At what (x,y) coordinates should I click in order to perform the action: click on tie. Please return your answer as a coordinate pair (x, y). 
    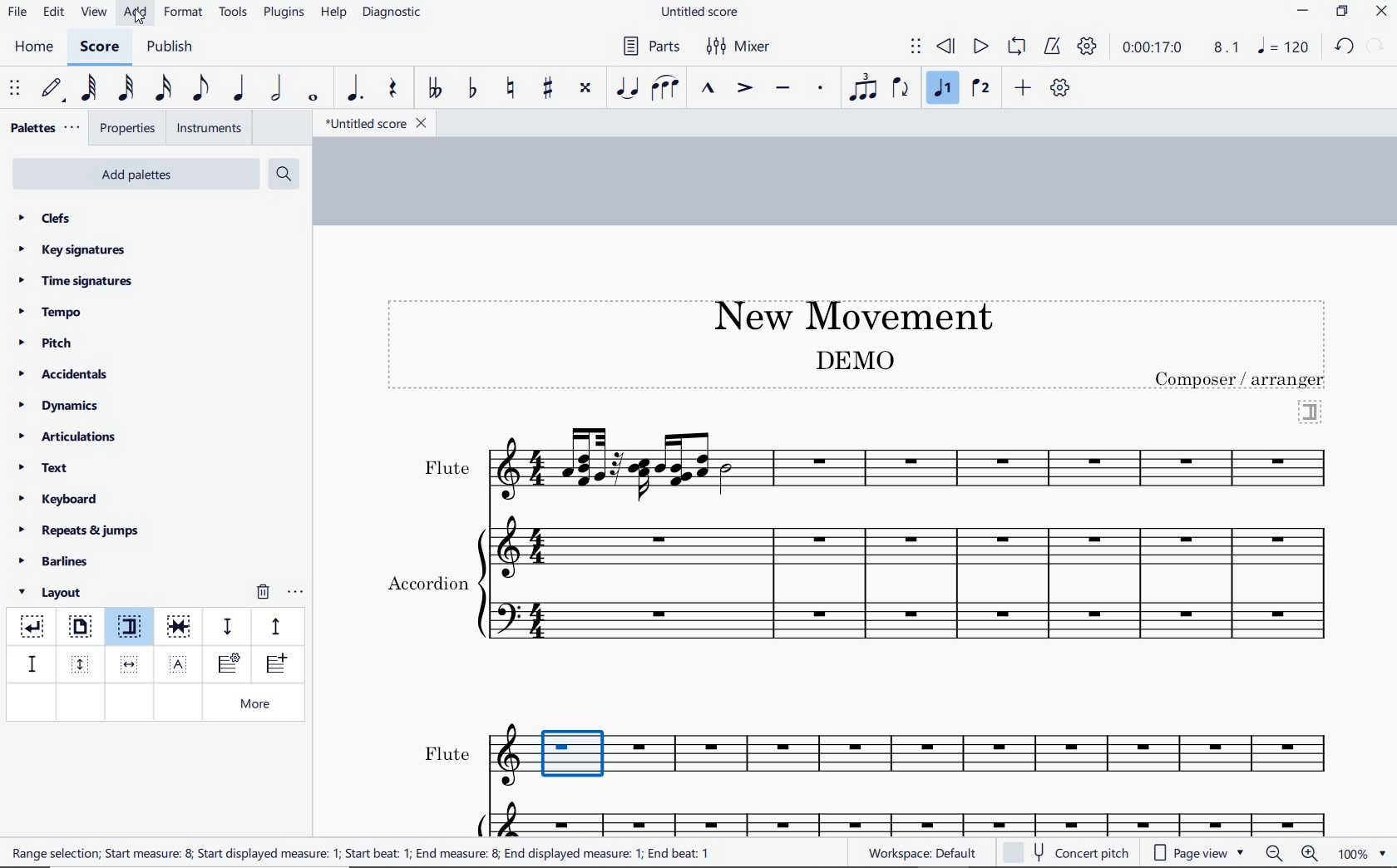
    Looking at the image, I should click on (629, 89).